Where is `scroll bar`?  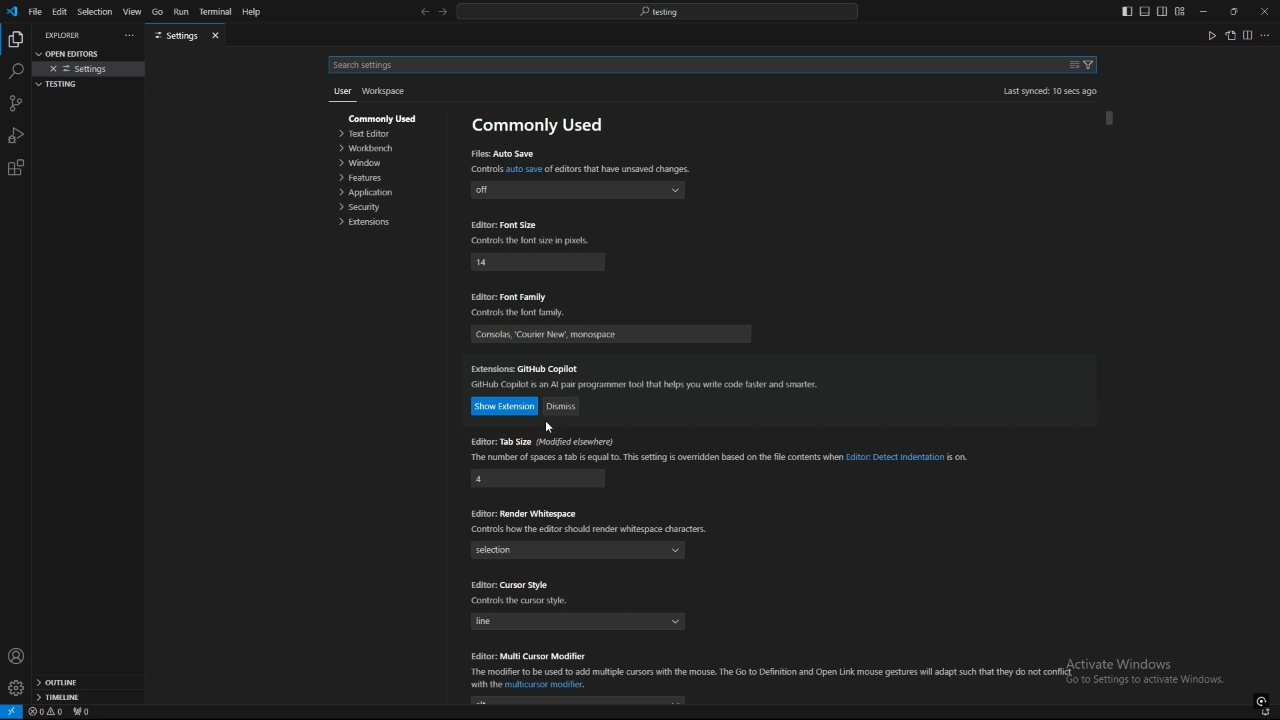
scroll bar is located at coordinates (1111, 118).